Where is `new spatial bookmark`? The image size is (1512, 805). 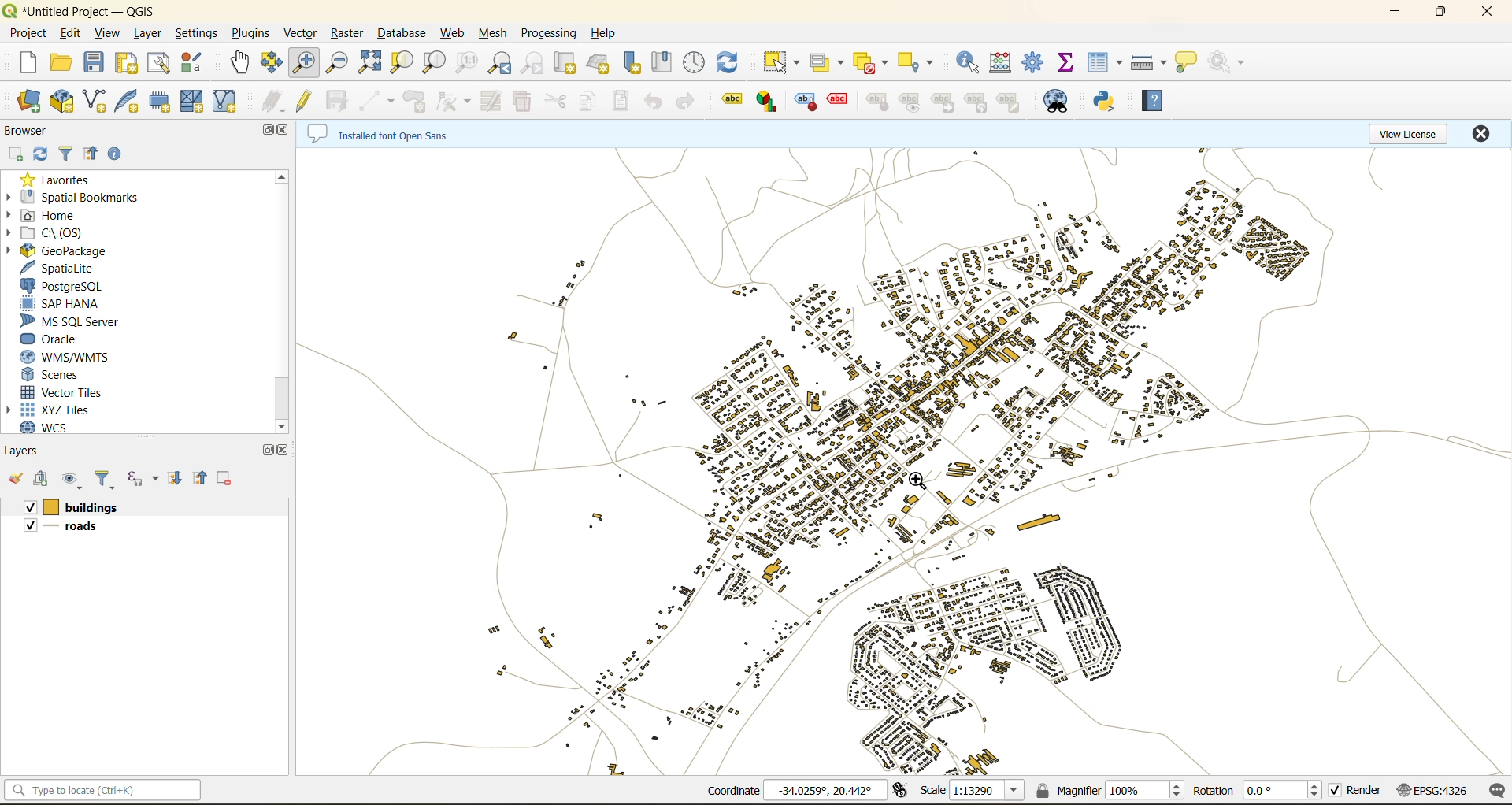 new spatial bookmark is located at coordinates (634, 65).